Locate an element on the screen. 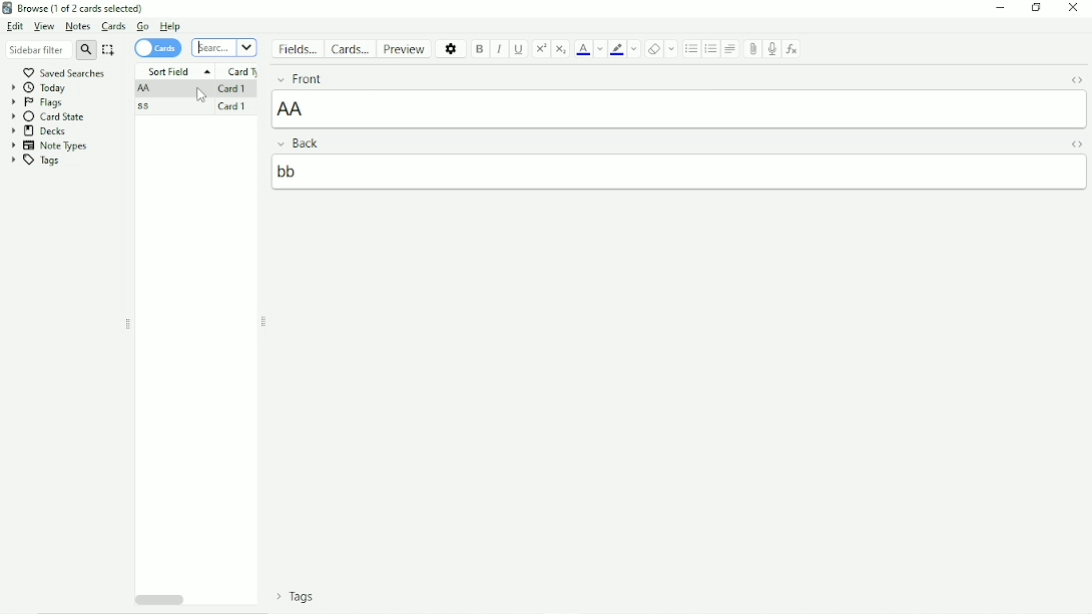 The width and height of the screenshot is (1092, 614). Change color is located at coordinates (601, 48).